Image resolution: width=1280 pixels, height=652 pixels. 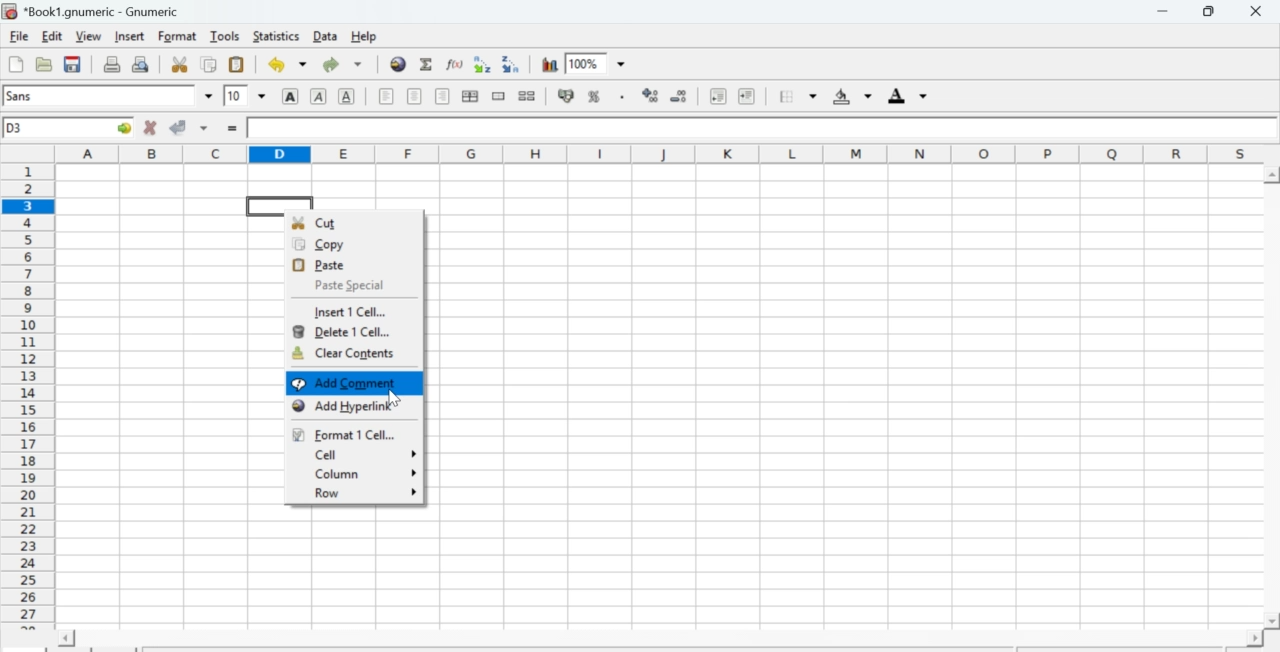 What do you see at coordinates (1257, 12) in the screenshot?
I see `Close` at bounding box center [1257, 12].